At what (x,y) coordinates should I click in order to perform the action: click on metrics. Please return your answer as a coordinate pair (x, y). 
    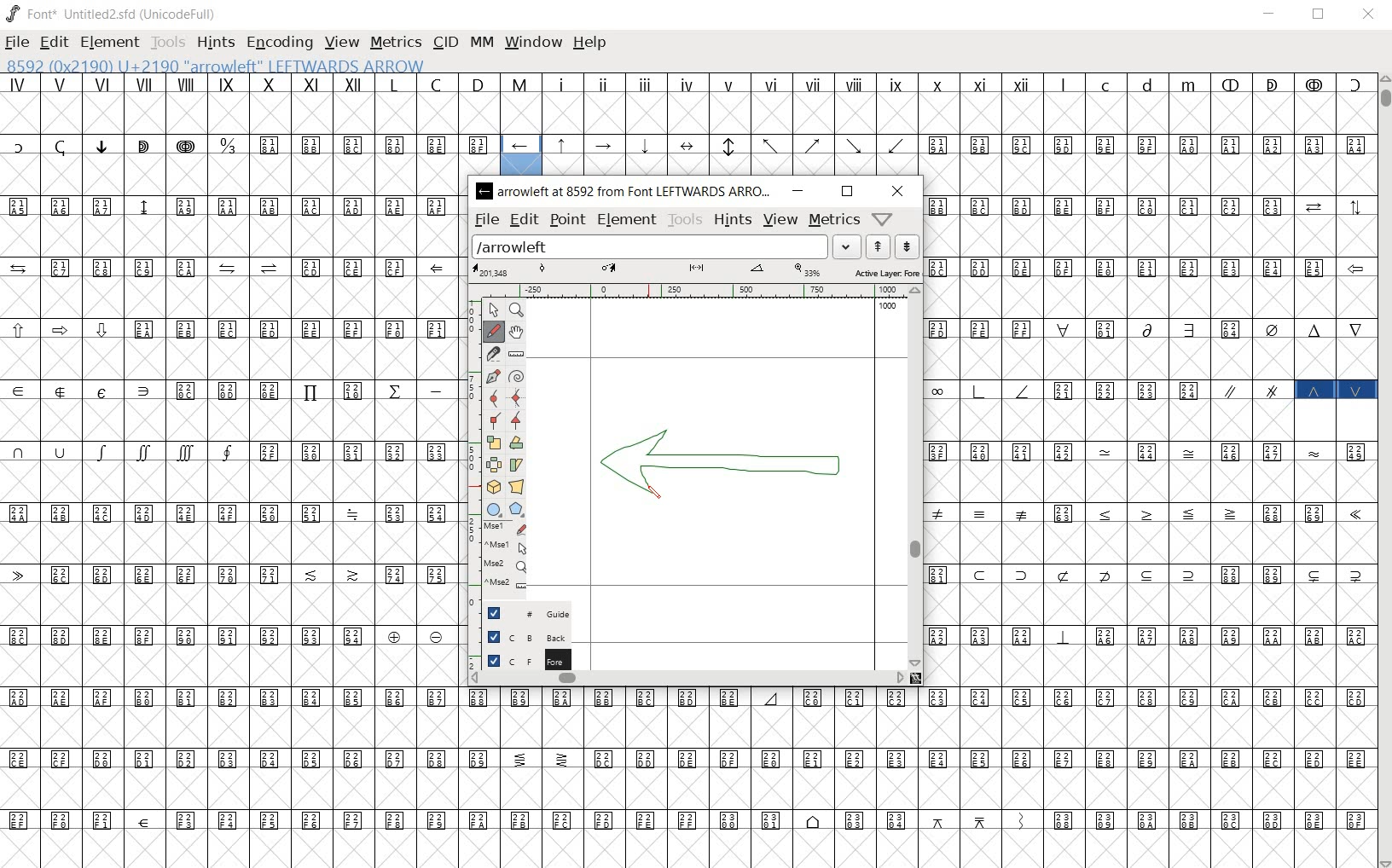
    Looking at the image, I should click on (832, 219).